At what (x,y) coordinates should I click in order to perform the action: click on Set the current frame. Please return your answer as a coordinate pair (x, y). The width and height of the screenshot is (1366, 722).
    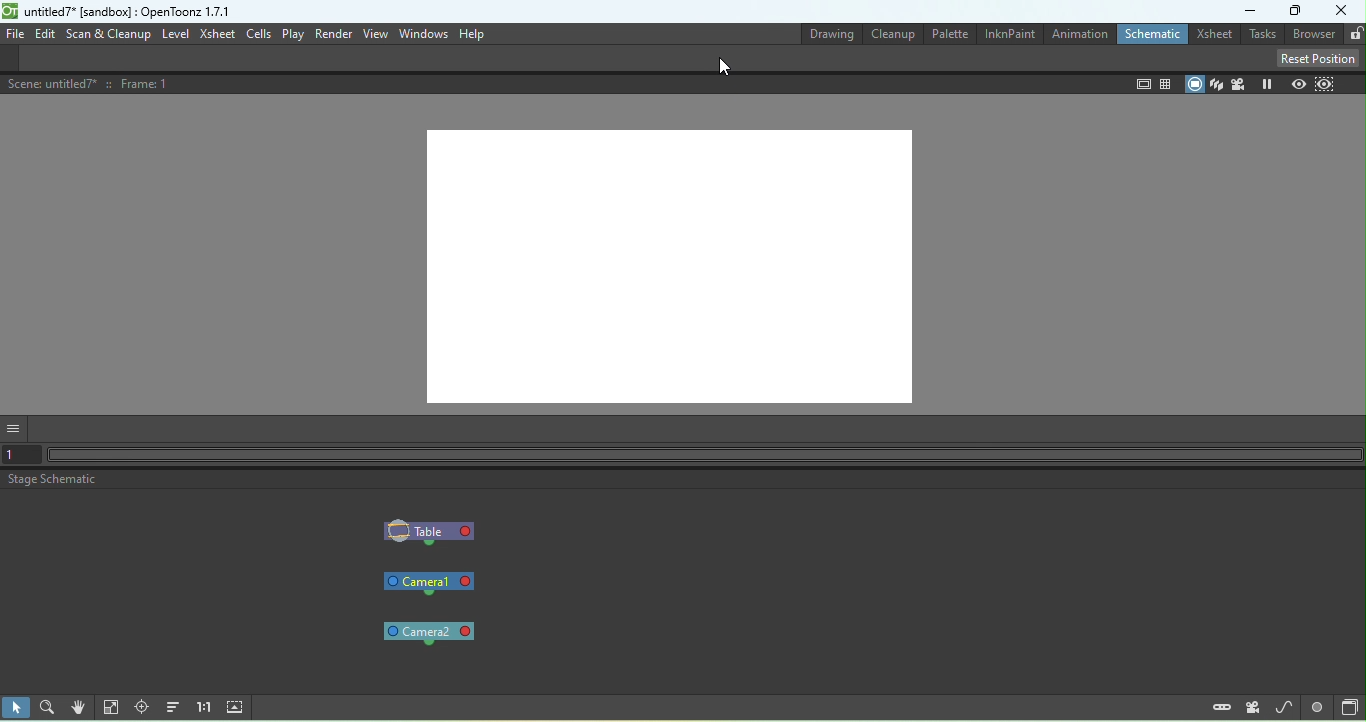
    Looking at the image, I should click on (20, 457).